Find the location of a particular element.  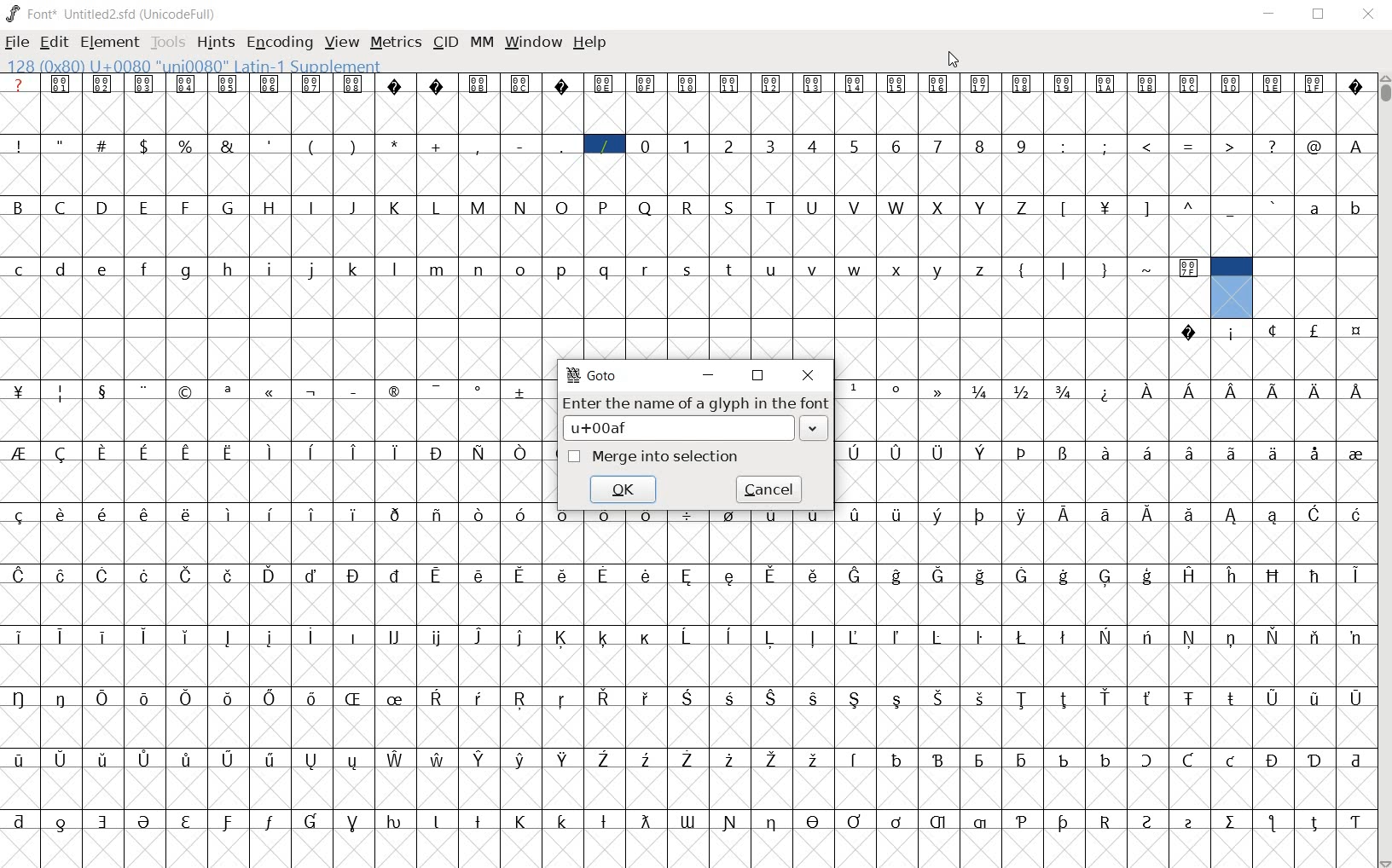

Symbol is located at coordinates (566, 760).